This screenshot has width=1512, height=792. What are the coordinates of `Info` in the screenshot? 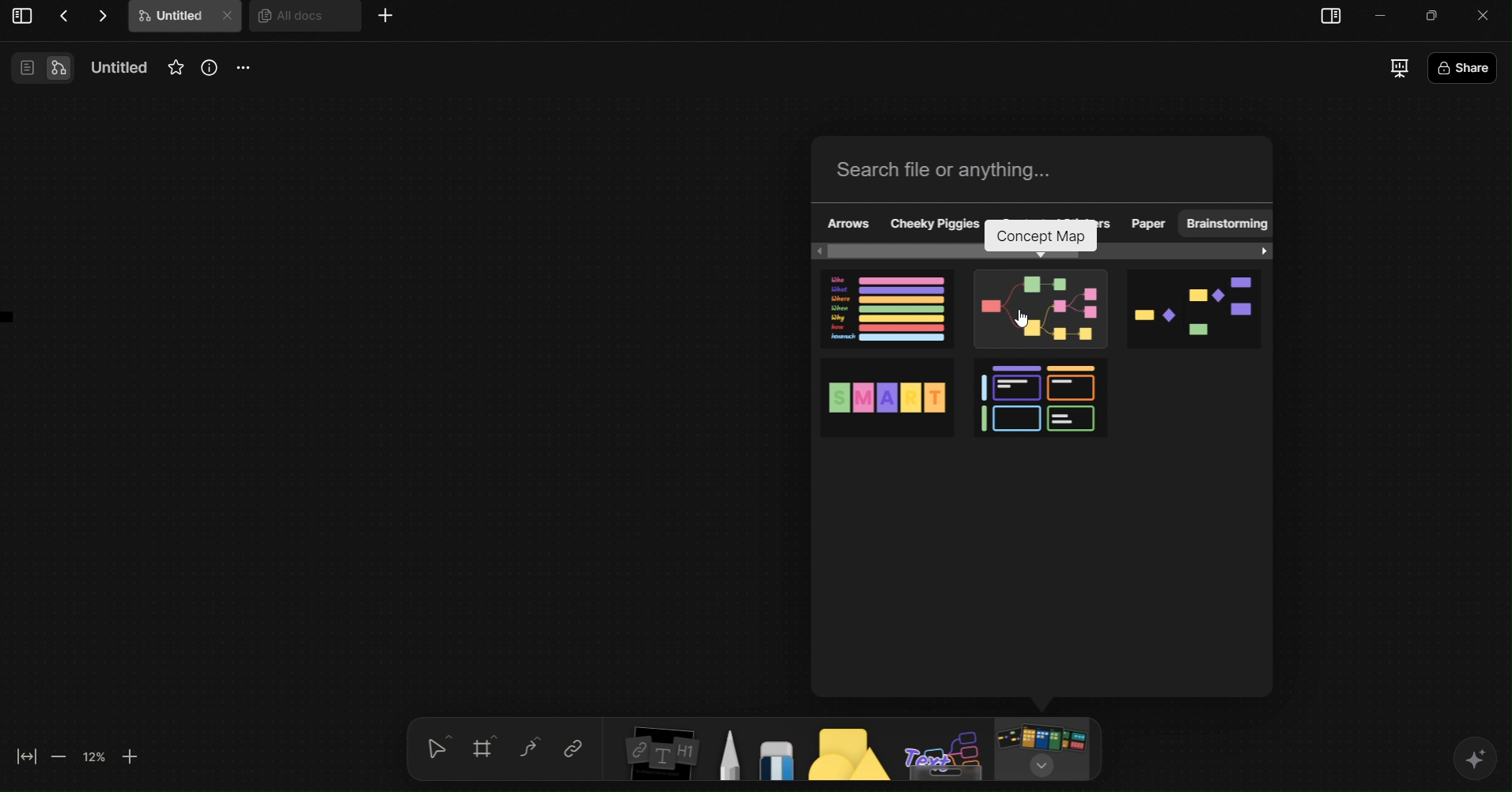 It's located at (211, 70).